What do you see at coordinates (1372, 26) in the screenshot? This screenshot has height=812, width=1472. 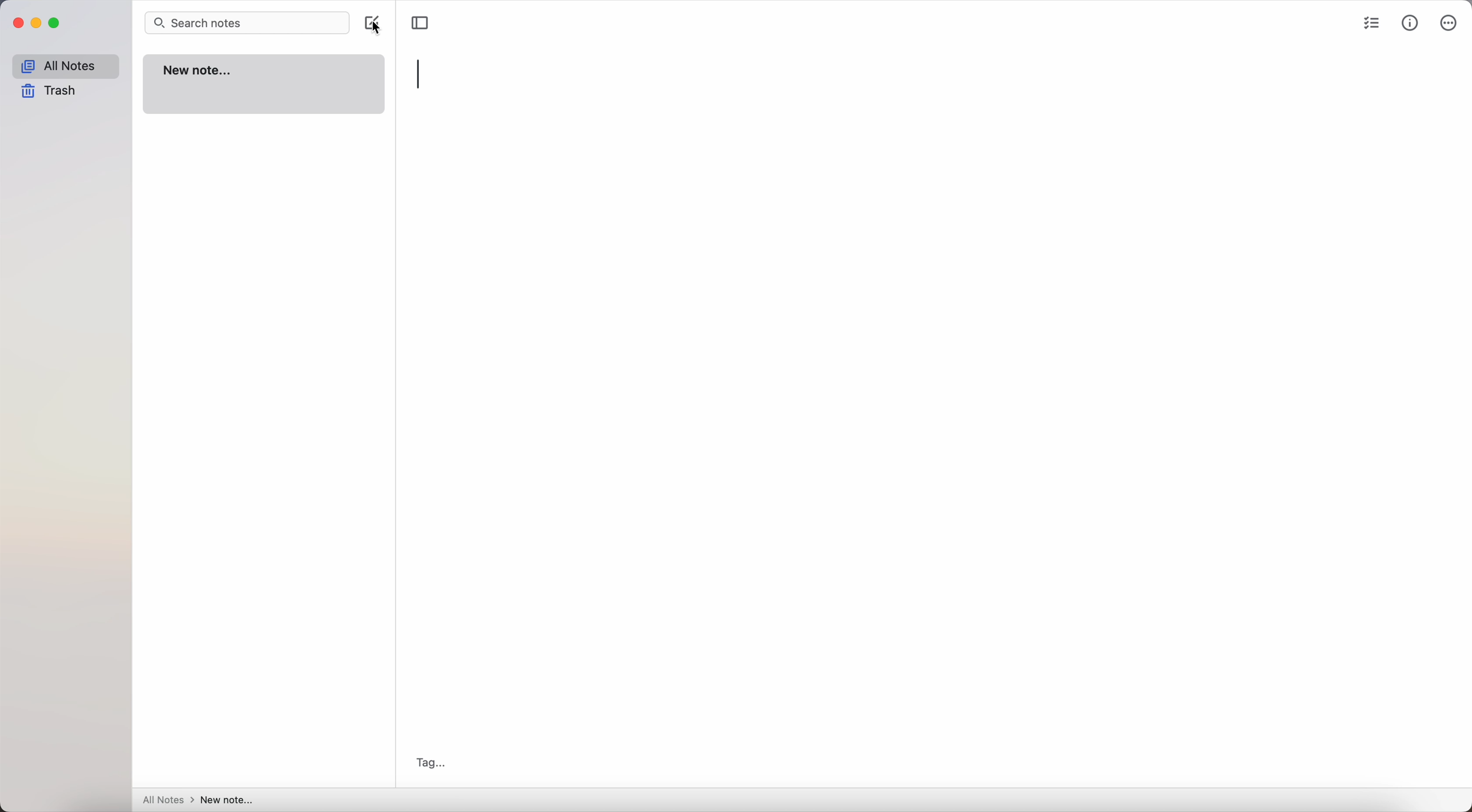 I see `check list` at bounding box center [1372, 26].